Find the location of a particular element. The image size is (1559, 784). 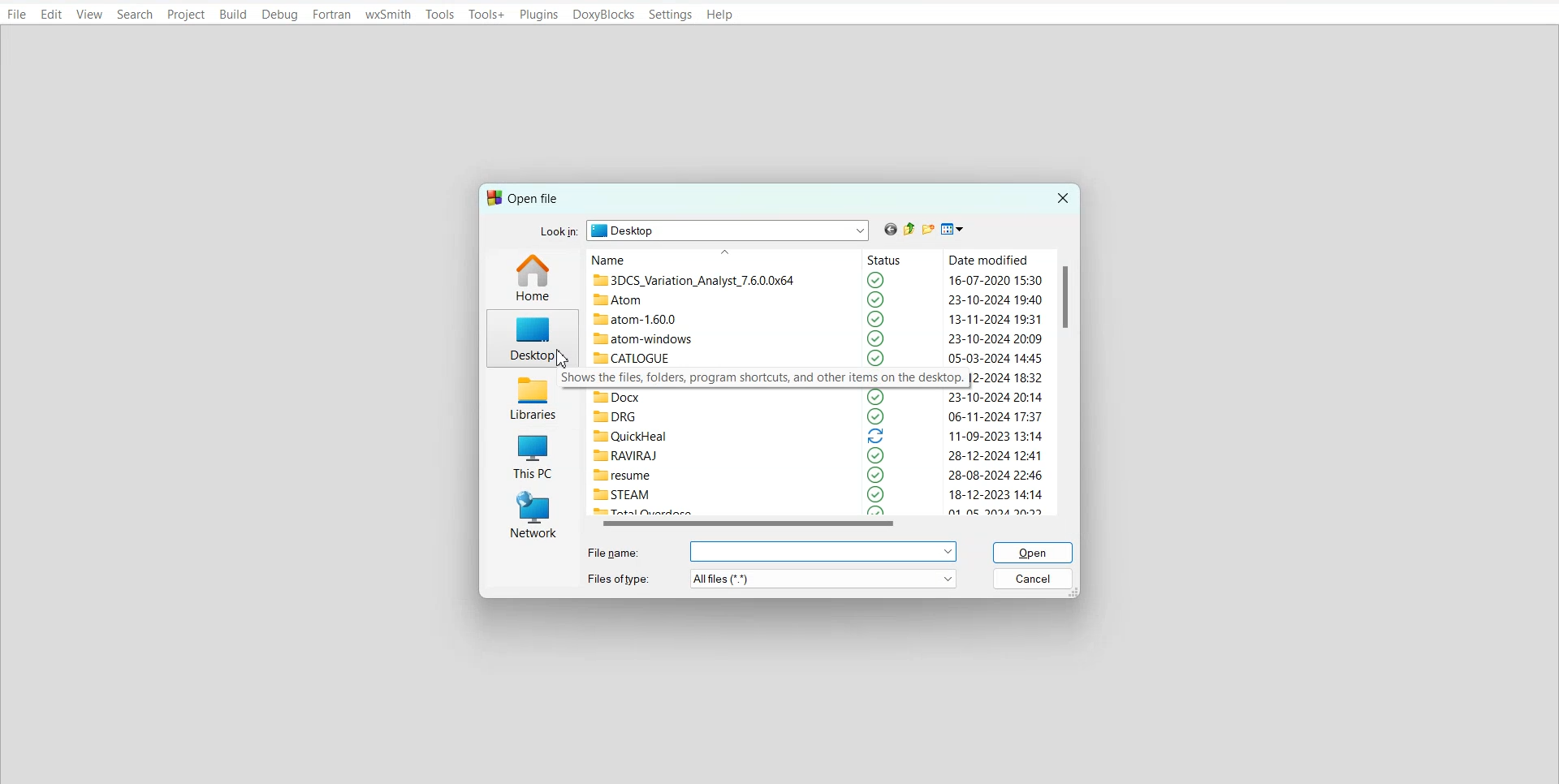

DoxyBlocks is located at coordinates (603, 15).